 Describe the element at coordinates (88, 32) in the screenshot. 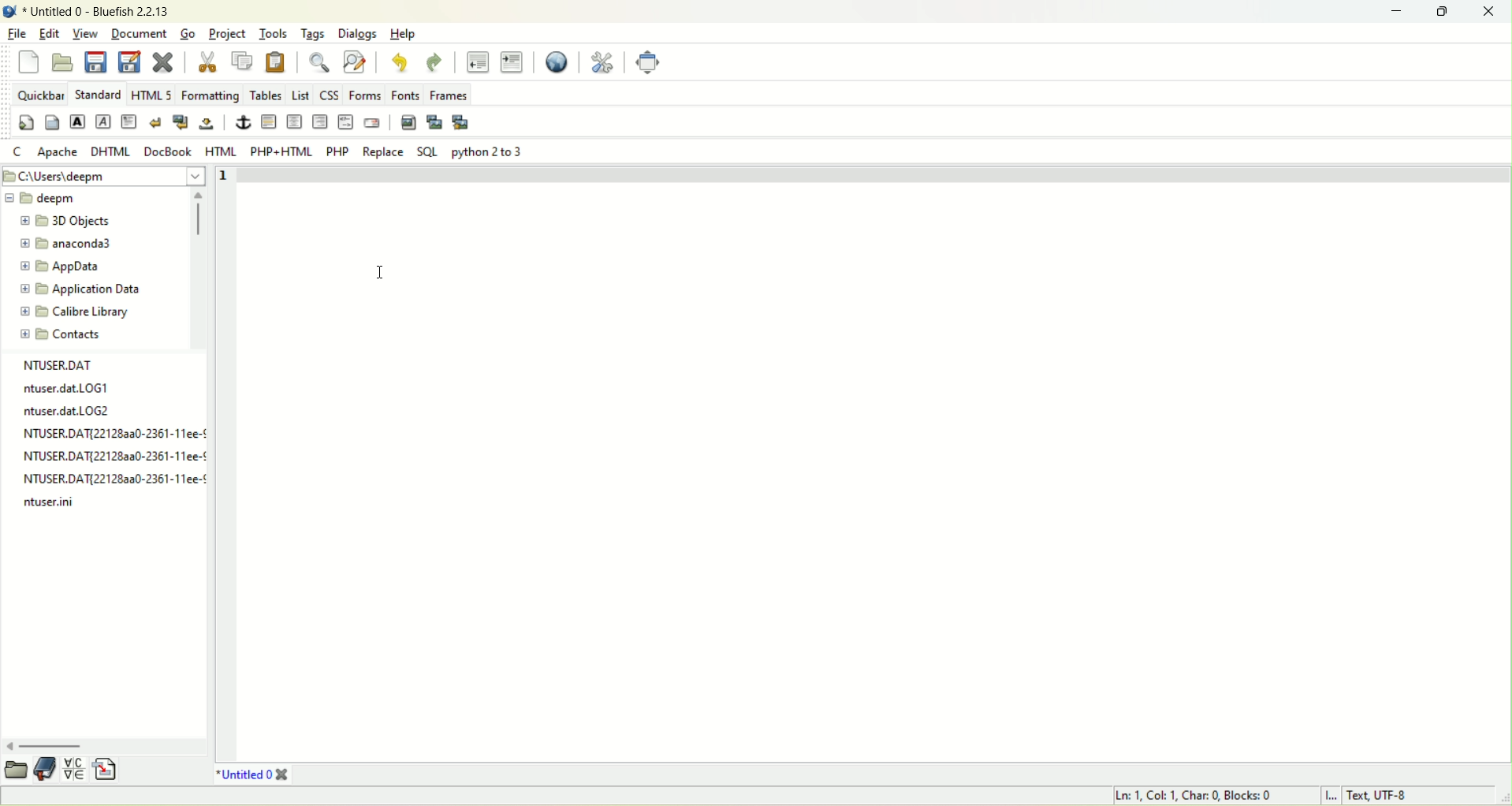

I see `view` at that location.